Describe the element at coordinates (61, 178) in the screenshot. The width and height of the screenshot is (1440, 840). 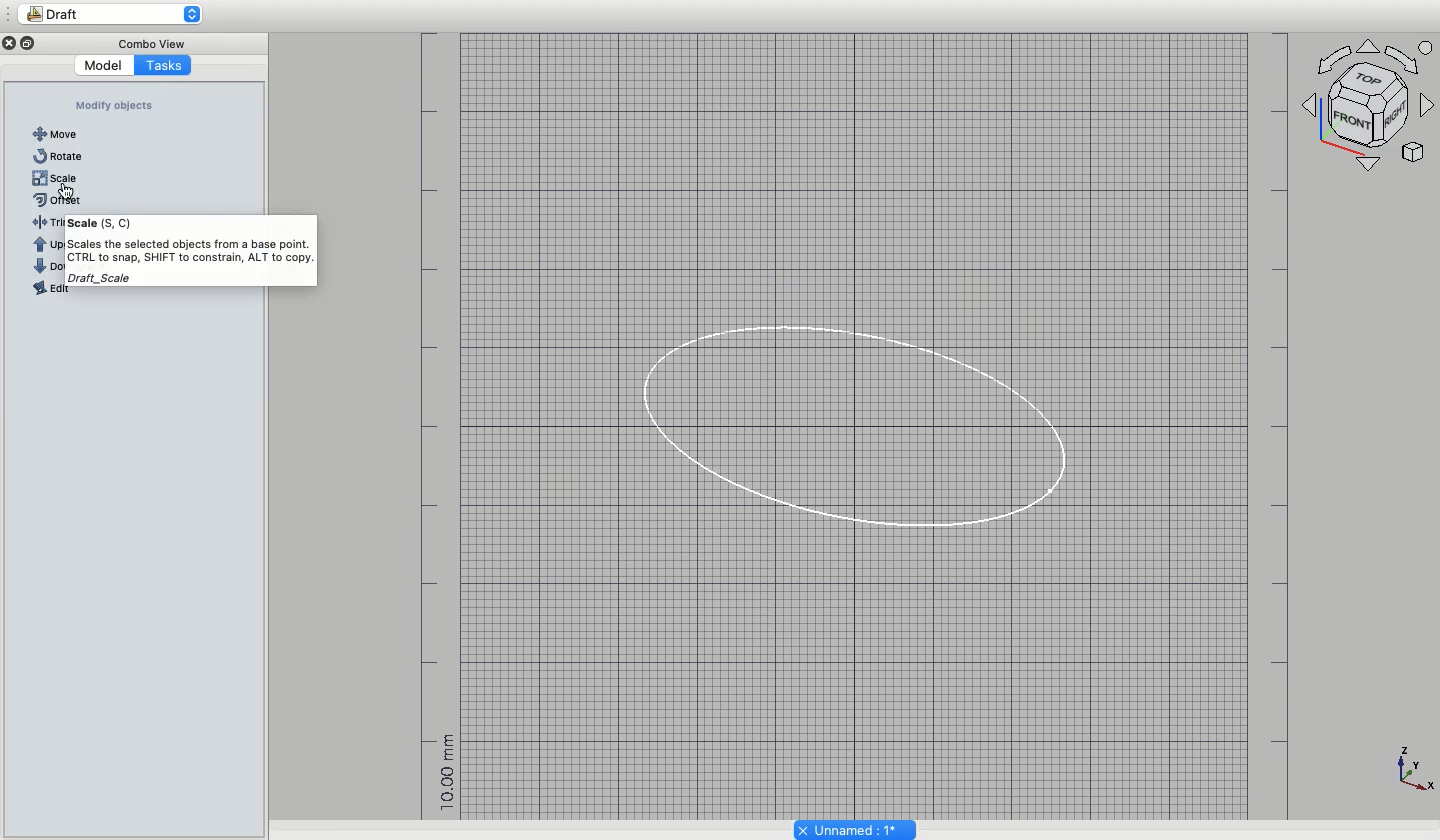
I see `Scale` at that location.